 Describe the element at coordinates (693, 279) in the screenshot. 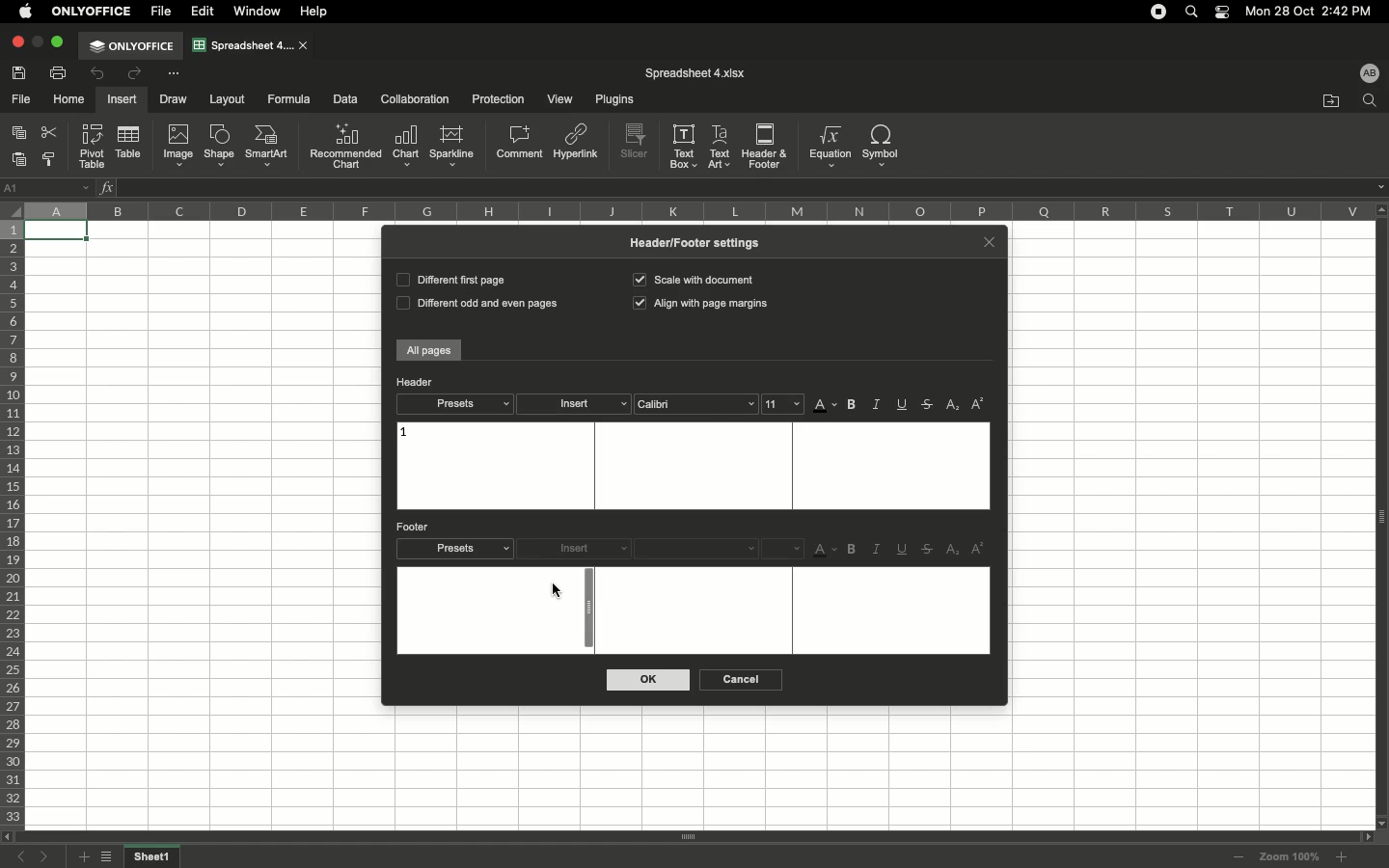

I see `Scale with document` at that location.